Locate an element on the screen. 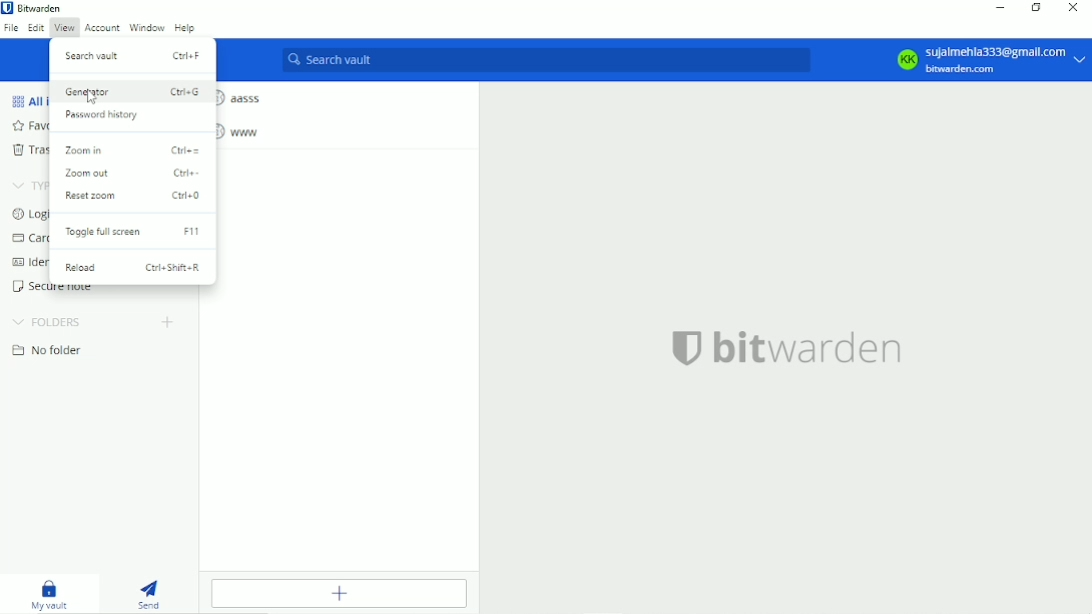  Password history is located at coordinates (99, 117).